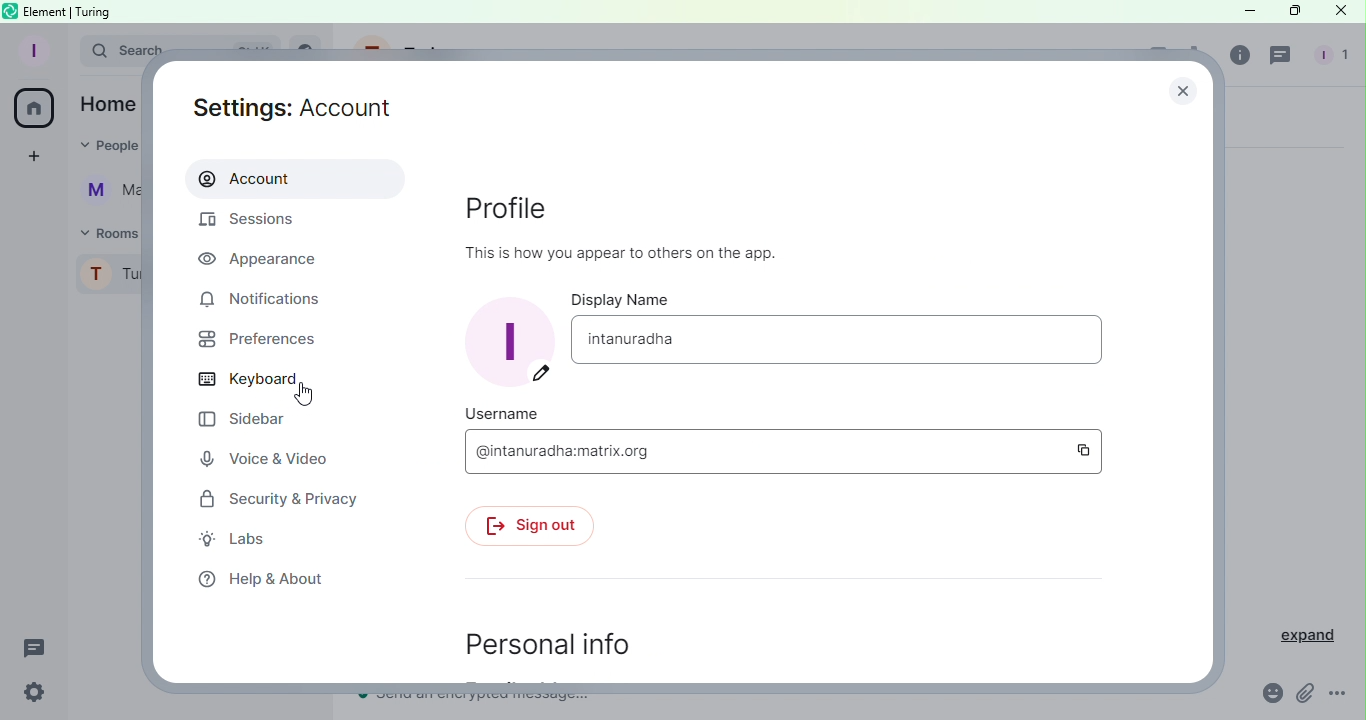 The width and height of the screenshot is (1366, 720). Describe the element at coordinates (1340, 695) in the screenshot. I see `More Options` at that location.